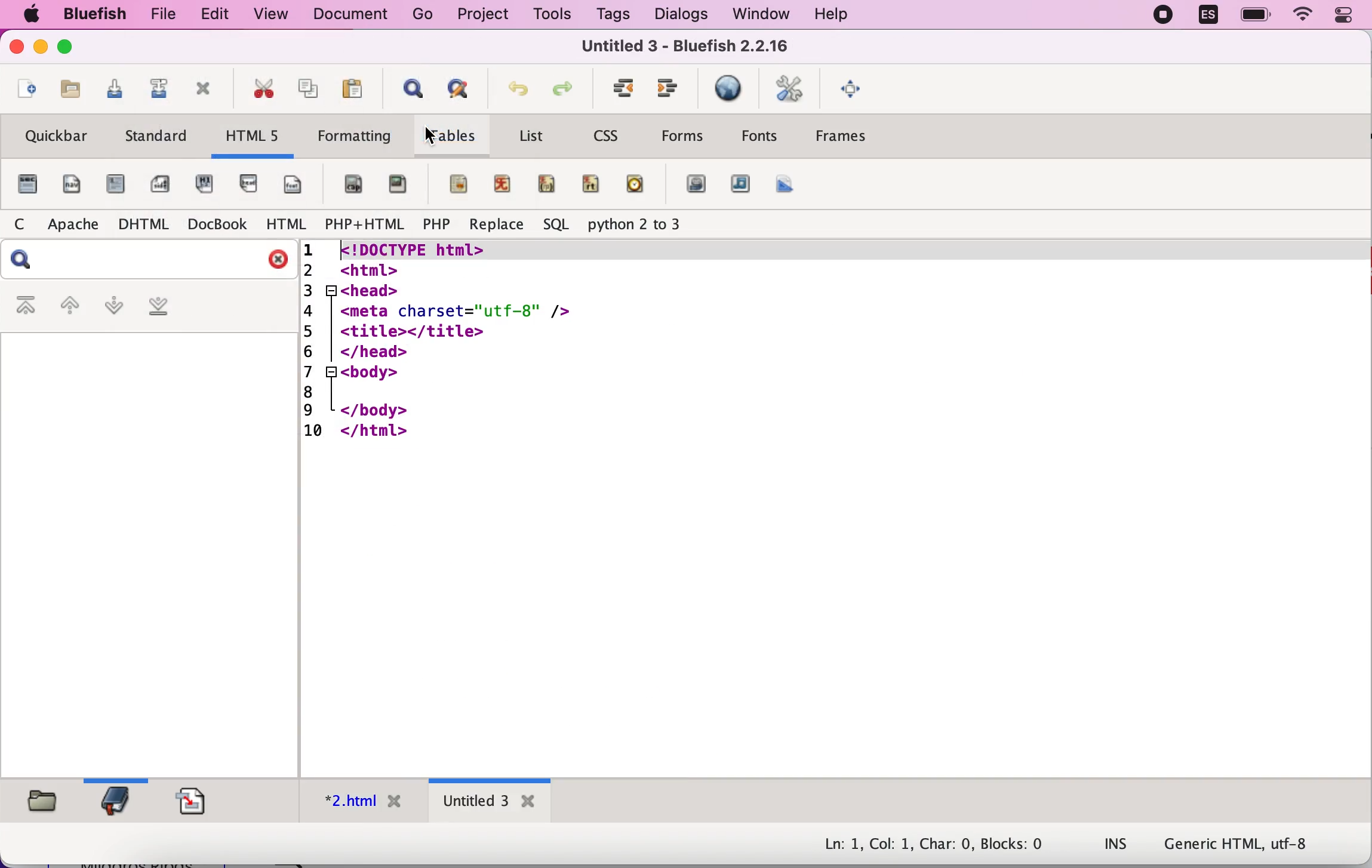 The image size is (1372, 868). I want to click on *2.html, so click(359, 798).